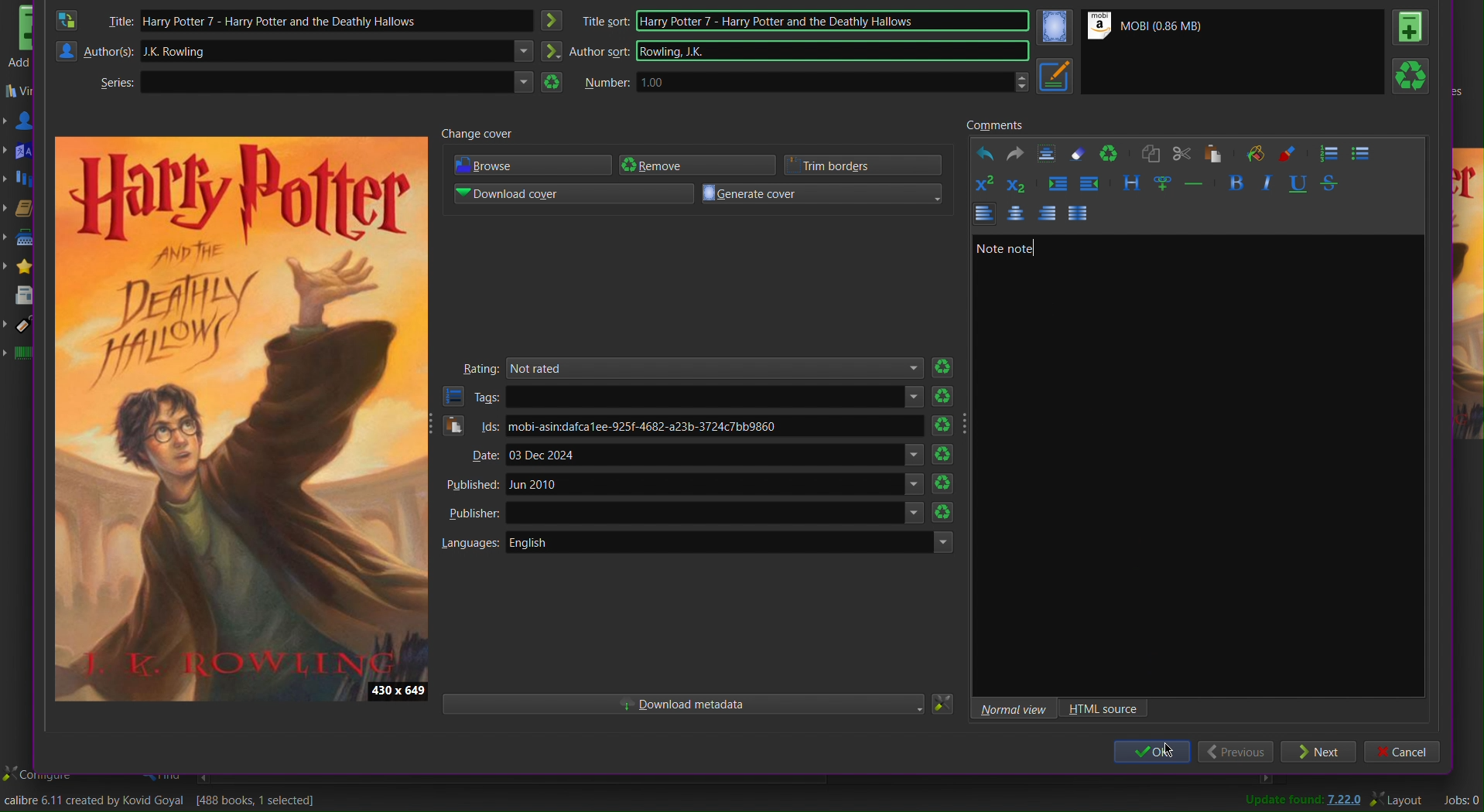  I want to click on Refresh, so click(1411, 75).